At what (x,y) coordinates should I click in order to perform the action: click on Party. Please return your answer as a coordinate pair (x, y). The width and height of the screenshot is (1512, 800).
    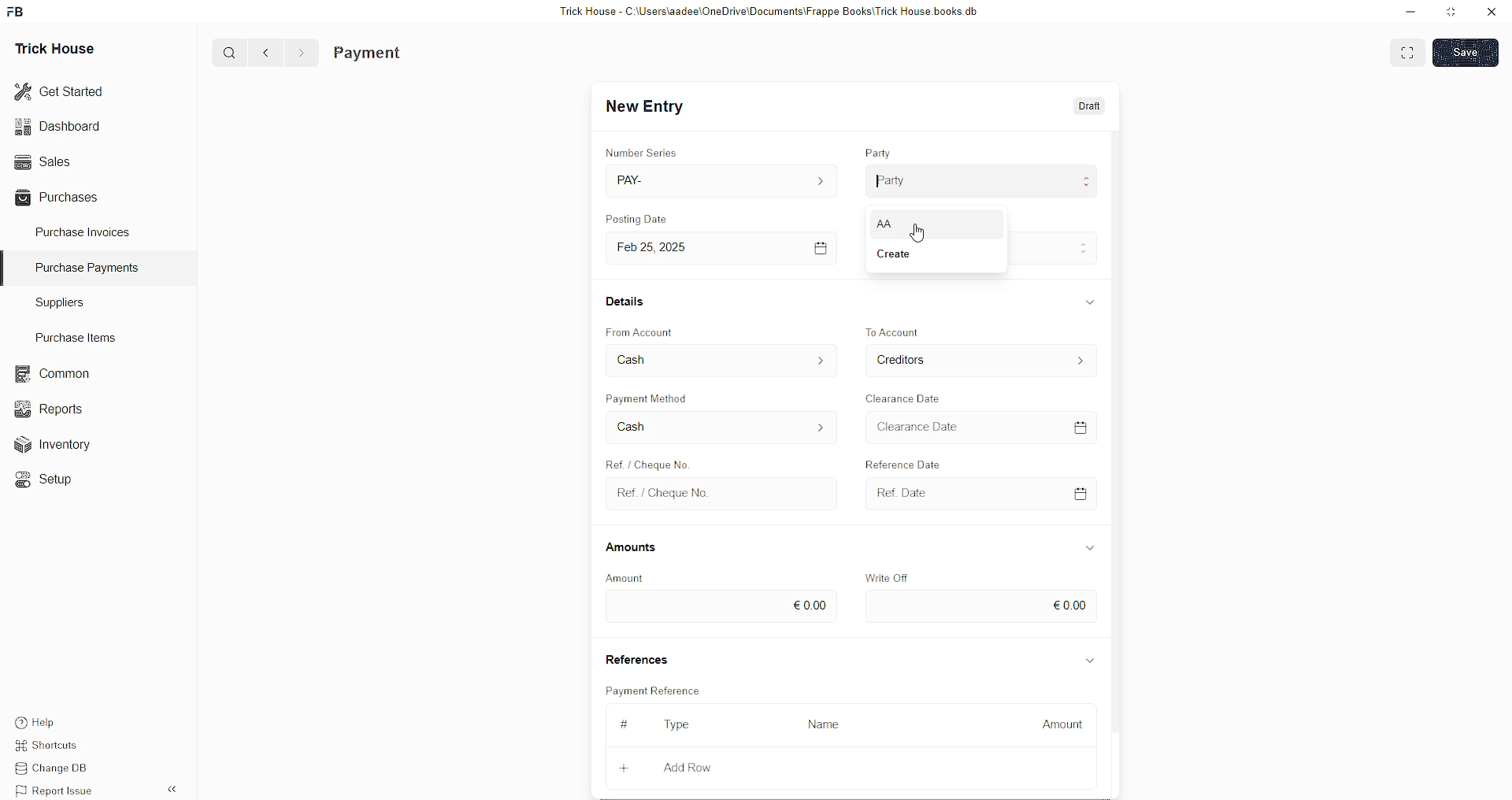
    Looking at the image, I should click on (880, 149).